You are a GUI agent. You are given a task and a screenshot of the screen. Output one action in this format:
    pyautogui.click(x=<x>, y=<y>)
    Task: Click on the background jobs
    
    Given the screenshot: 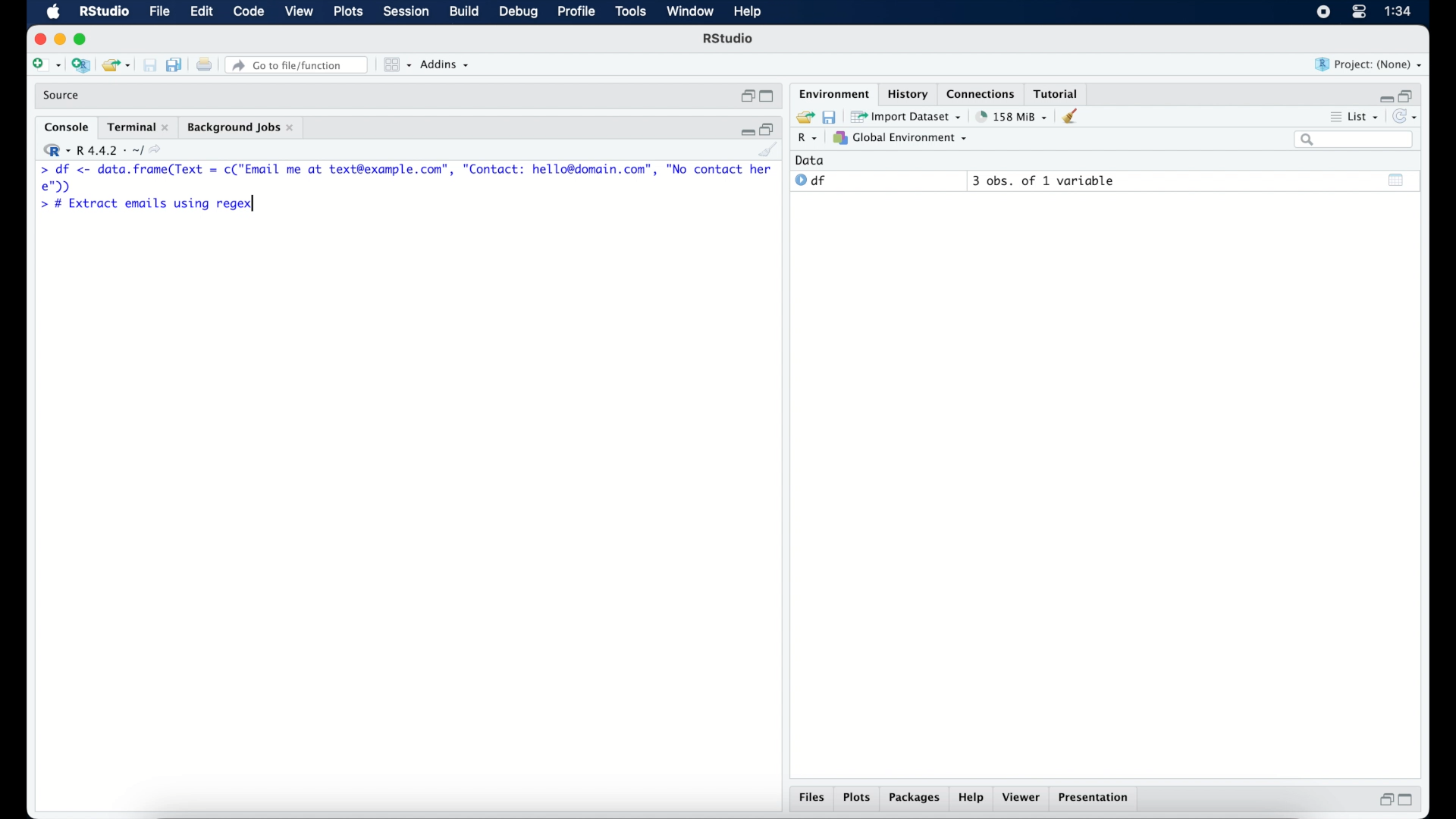 What is the action you would take?
    pyautogui.click(x=243, y=128)
    